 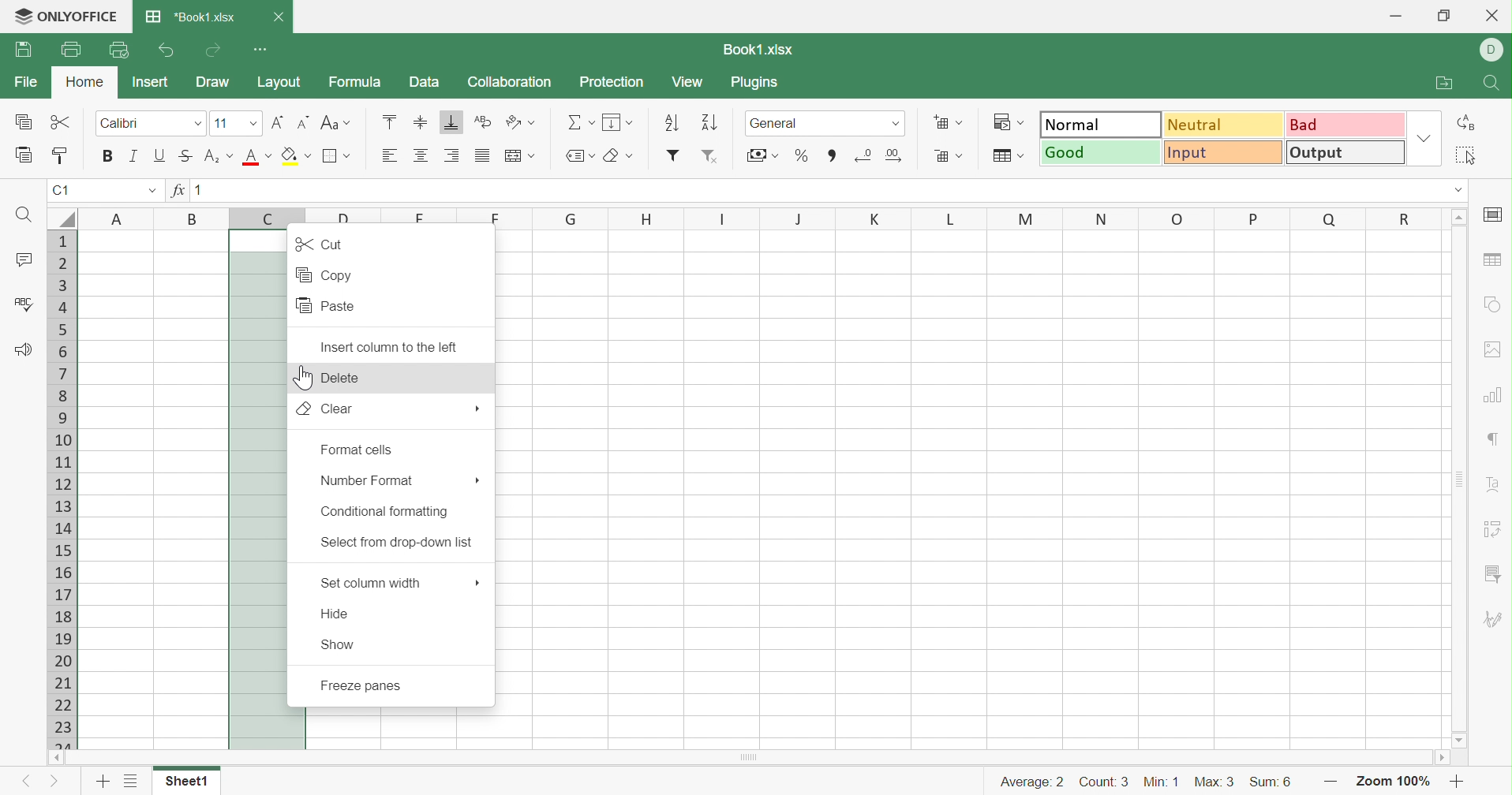 I want to click on Change case, so click(x=327, y=123).